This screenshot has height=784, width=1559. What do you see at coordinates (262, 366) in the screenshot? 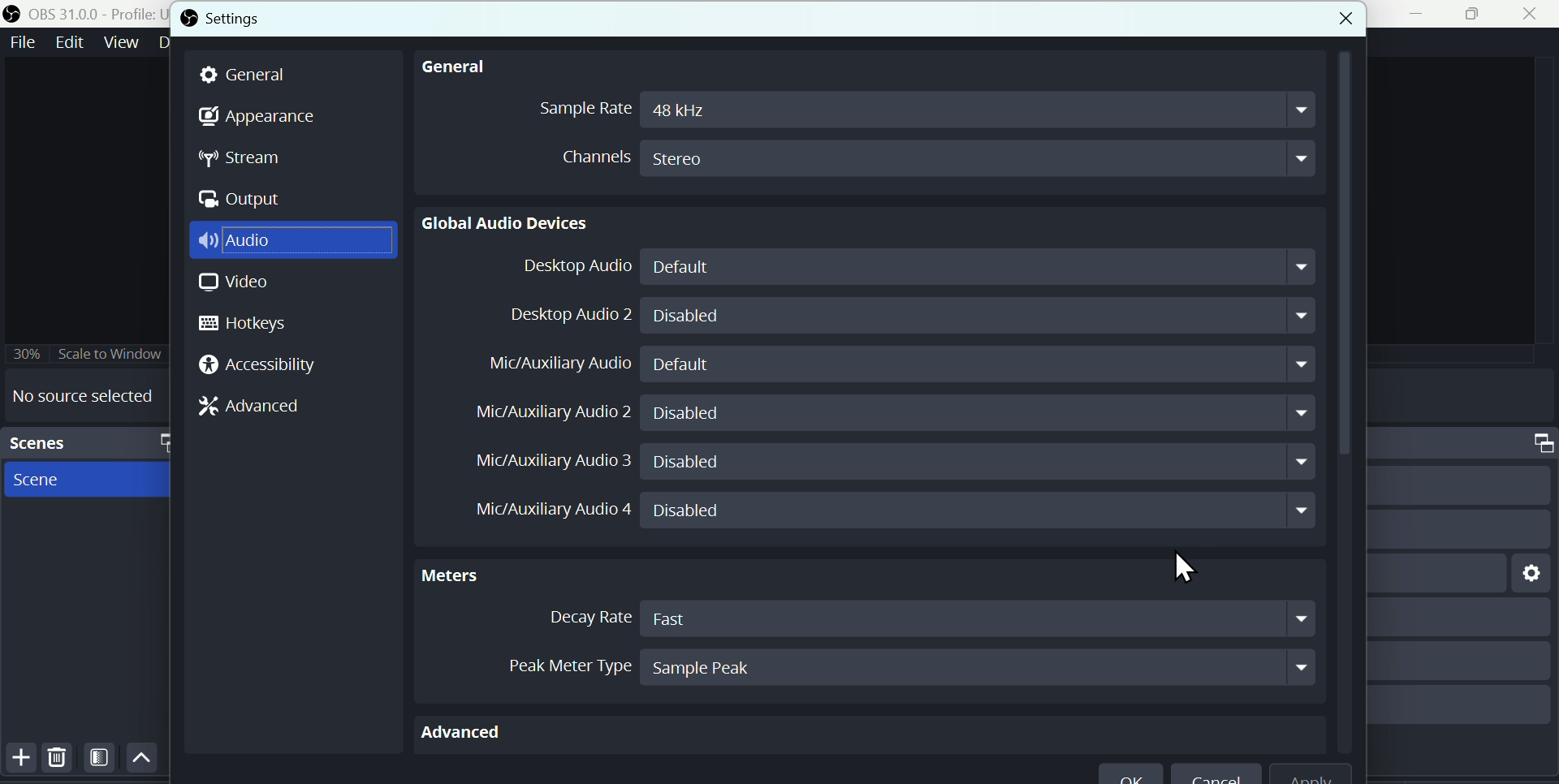
I see `Accessibility` at bounding box center [262, 366].